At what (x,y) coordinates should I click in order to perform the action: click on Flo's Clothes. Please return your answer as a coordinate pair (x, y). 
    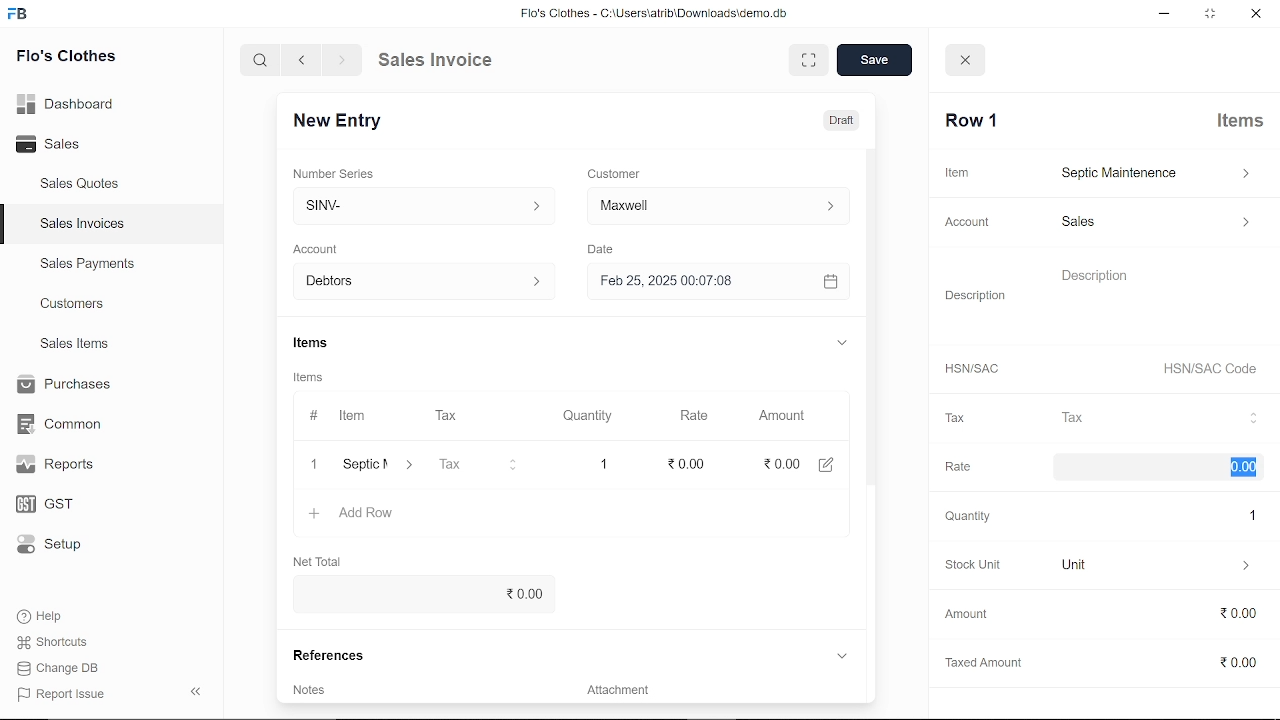
    Looking at the image, I should click on (64, 59).